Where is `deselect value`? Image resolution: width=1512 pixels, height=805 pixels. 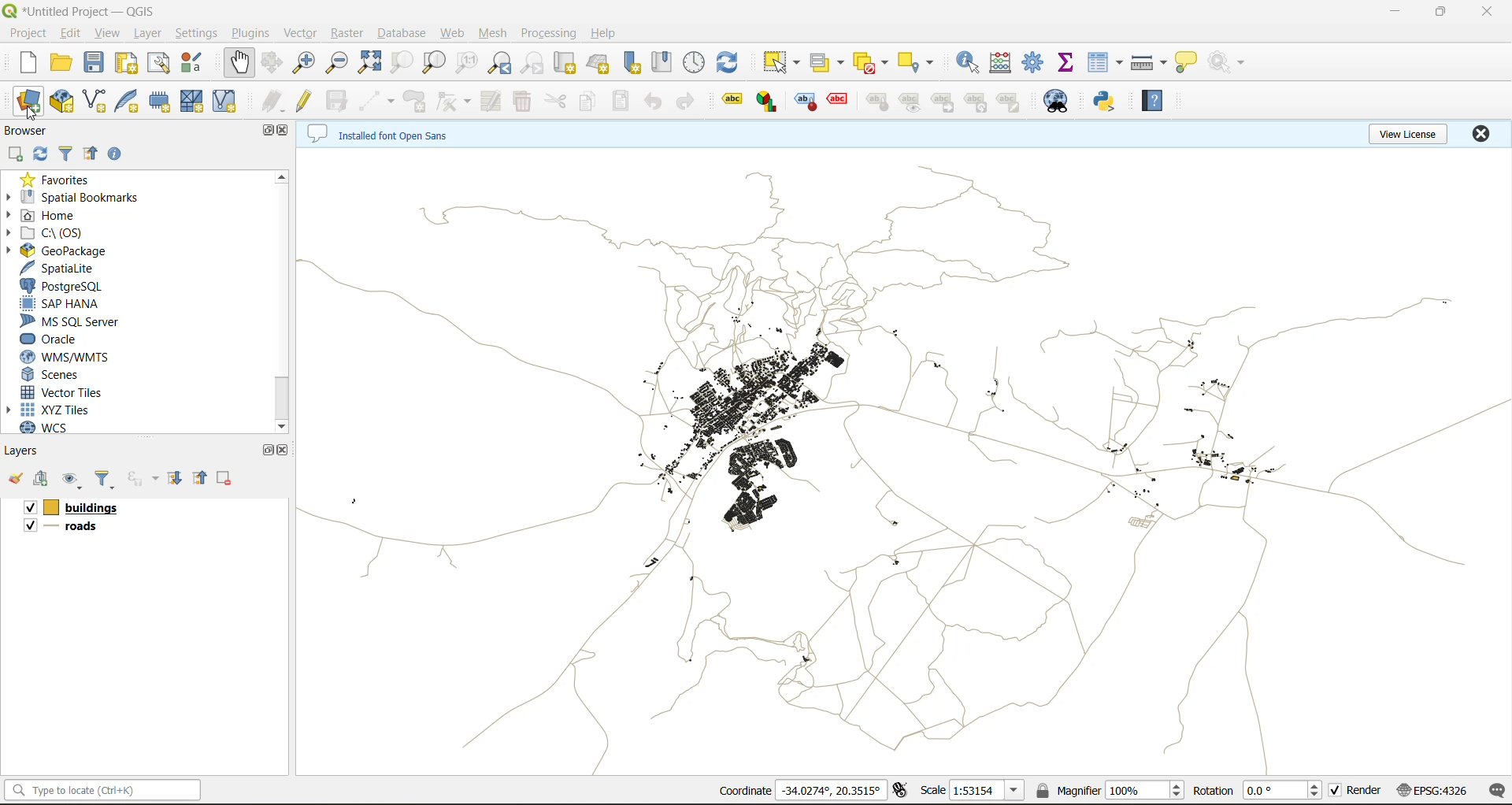 deselect value is located at coordinates (873, 63).